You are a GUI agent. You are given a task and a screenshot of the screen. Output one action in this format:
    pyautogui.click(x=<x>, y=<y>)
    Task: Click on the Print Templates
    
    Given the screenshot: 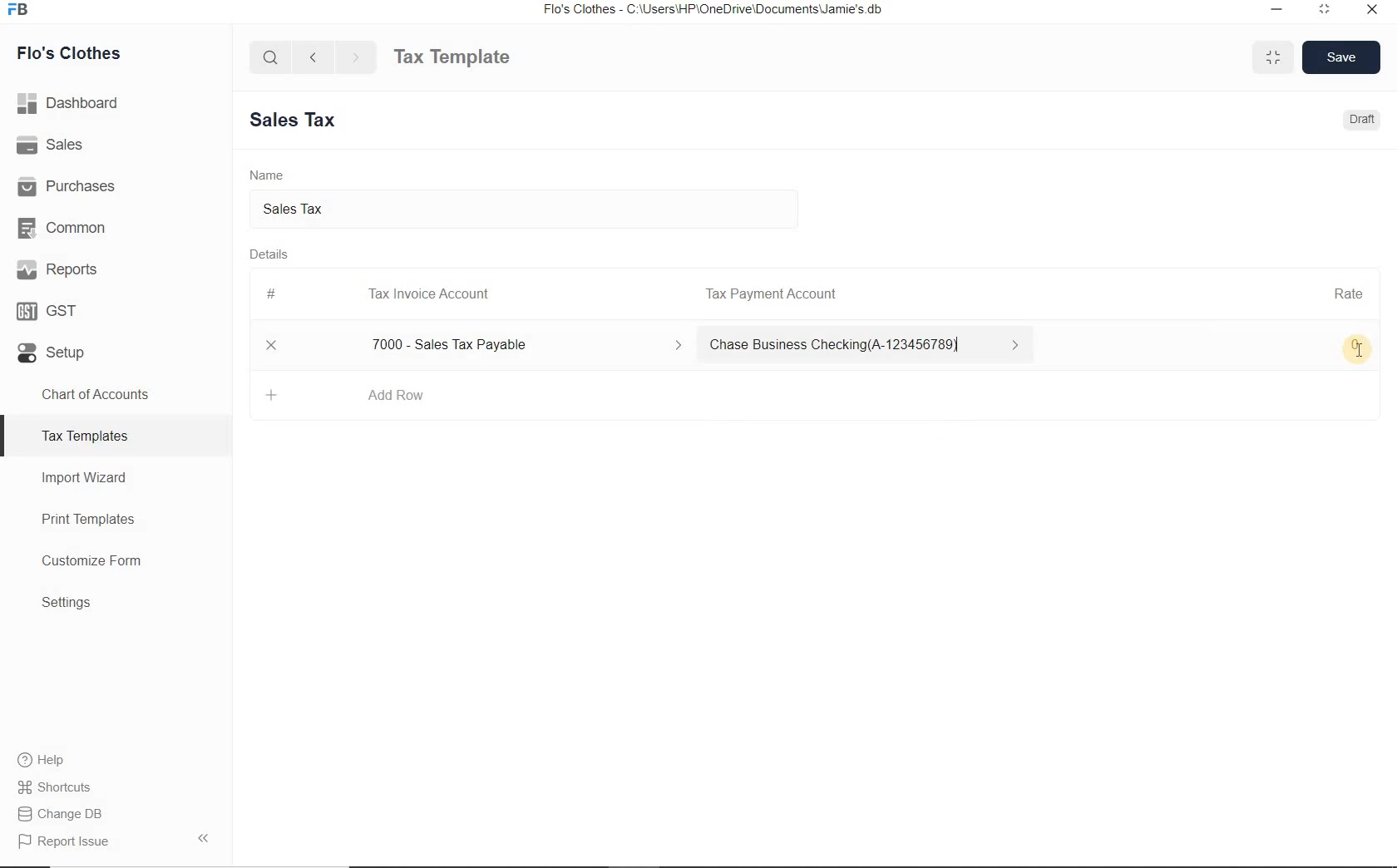 What is the action you would take?
    pyautogui.click(x=116, y=519)
    